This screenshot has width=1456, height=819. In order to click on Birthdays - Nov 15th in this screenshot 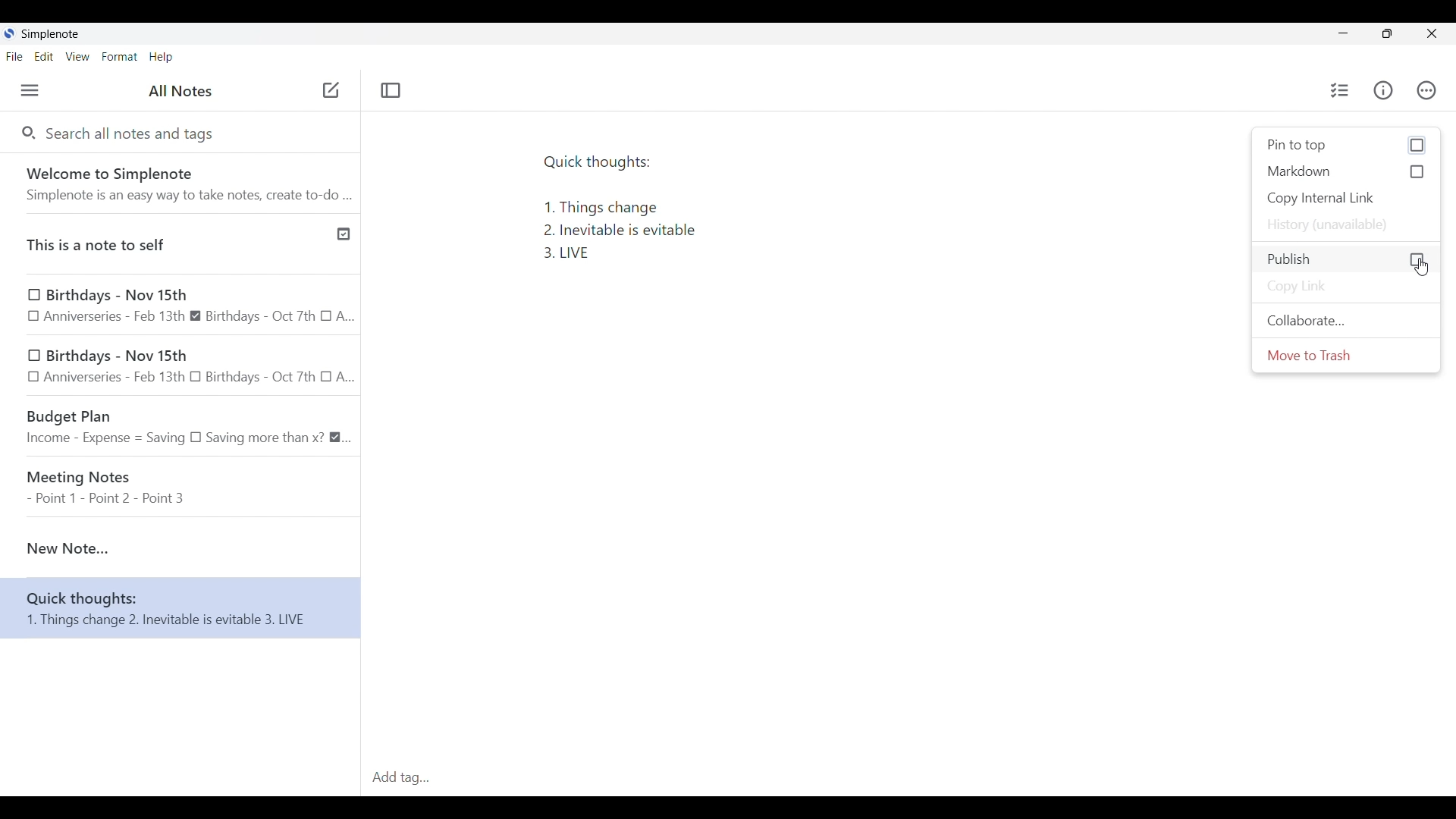, I will do `click(182, 366)`.